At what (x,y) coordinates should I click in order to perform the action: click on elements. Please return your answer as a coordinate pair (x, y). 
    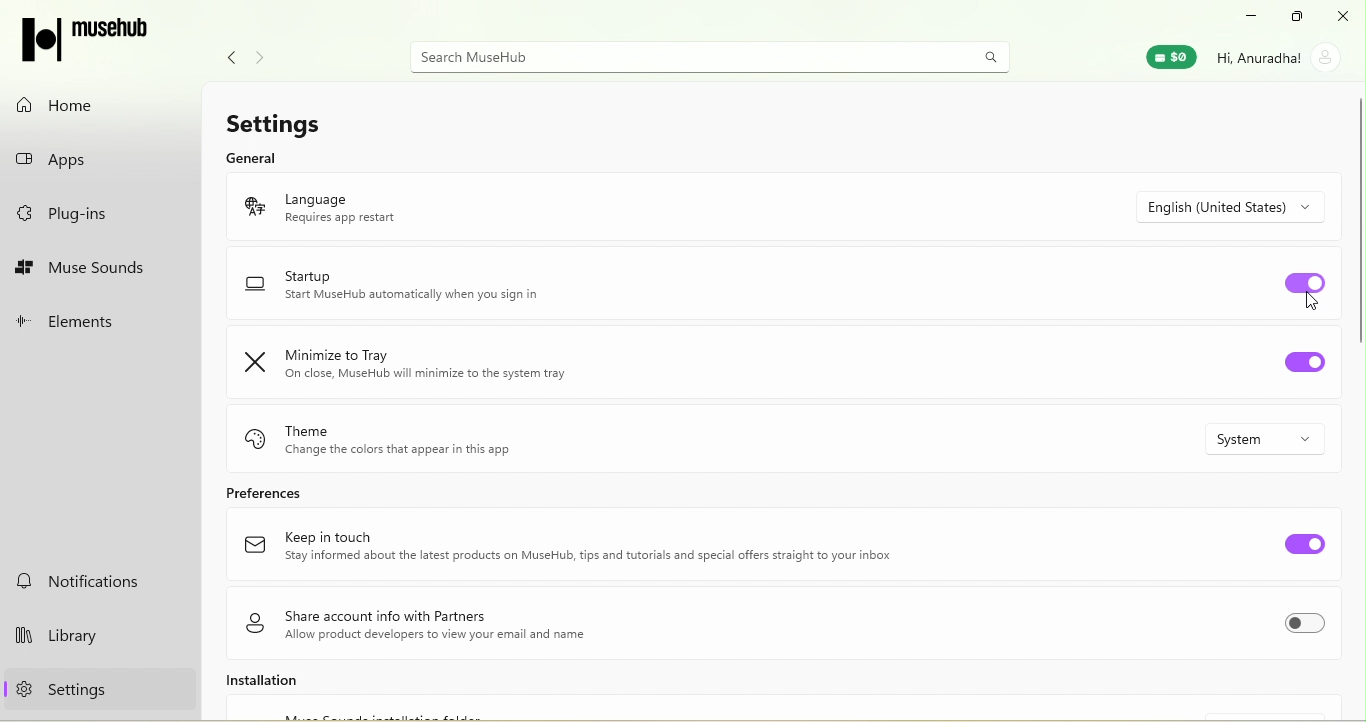
    Looking at the image, I should click on (99, 318).